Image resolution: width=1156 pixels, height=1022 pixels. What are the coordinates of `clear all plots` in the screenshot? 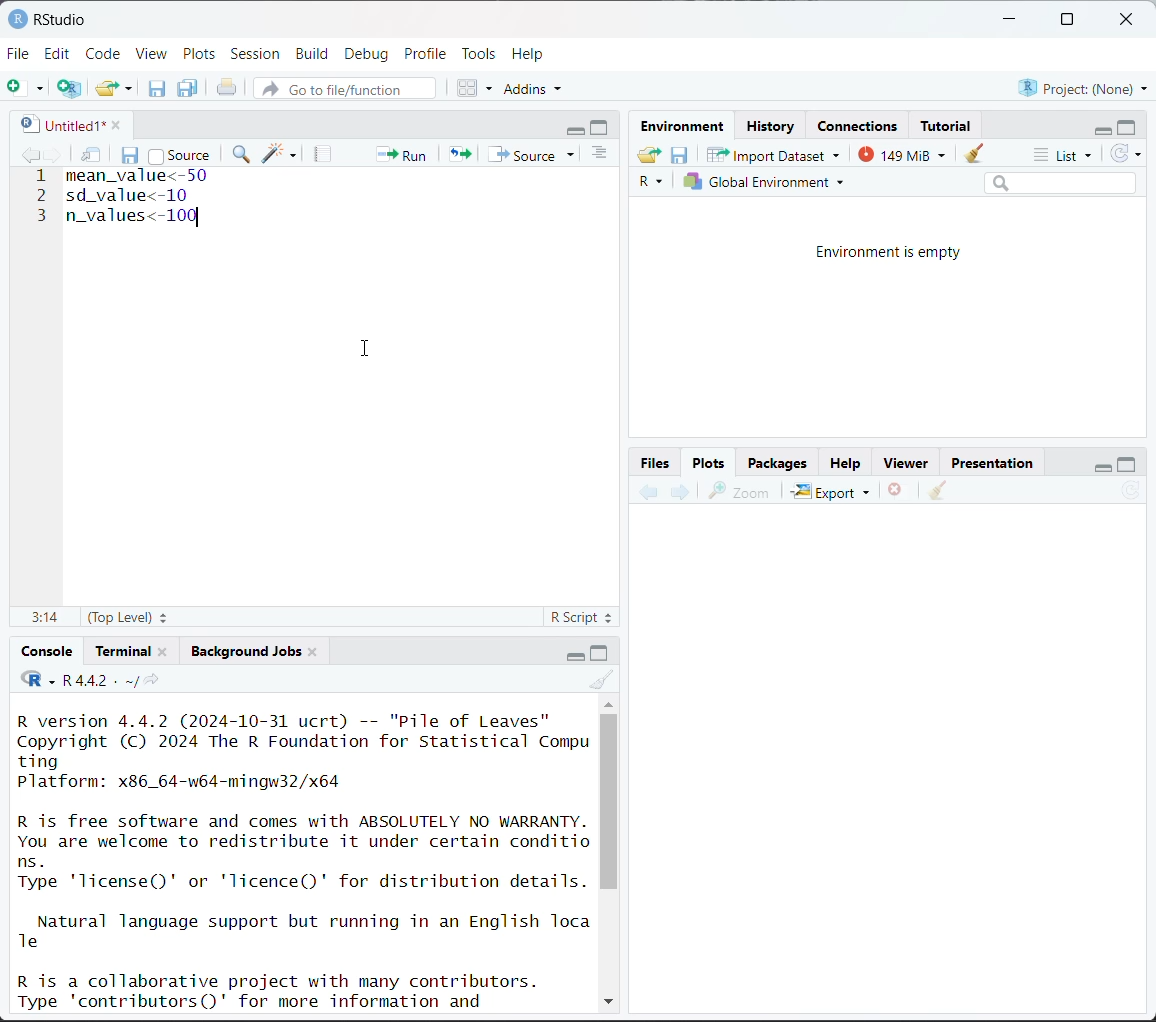 It's located at (938, 491).